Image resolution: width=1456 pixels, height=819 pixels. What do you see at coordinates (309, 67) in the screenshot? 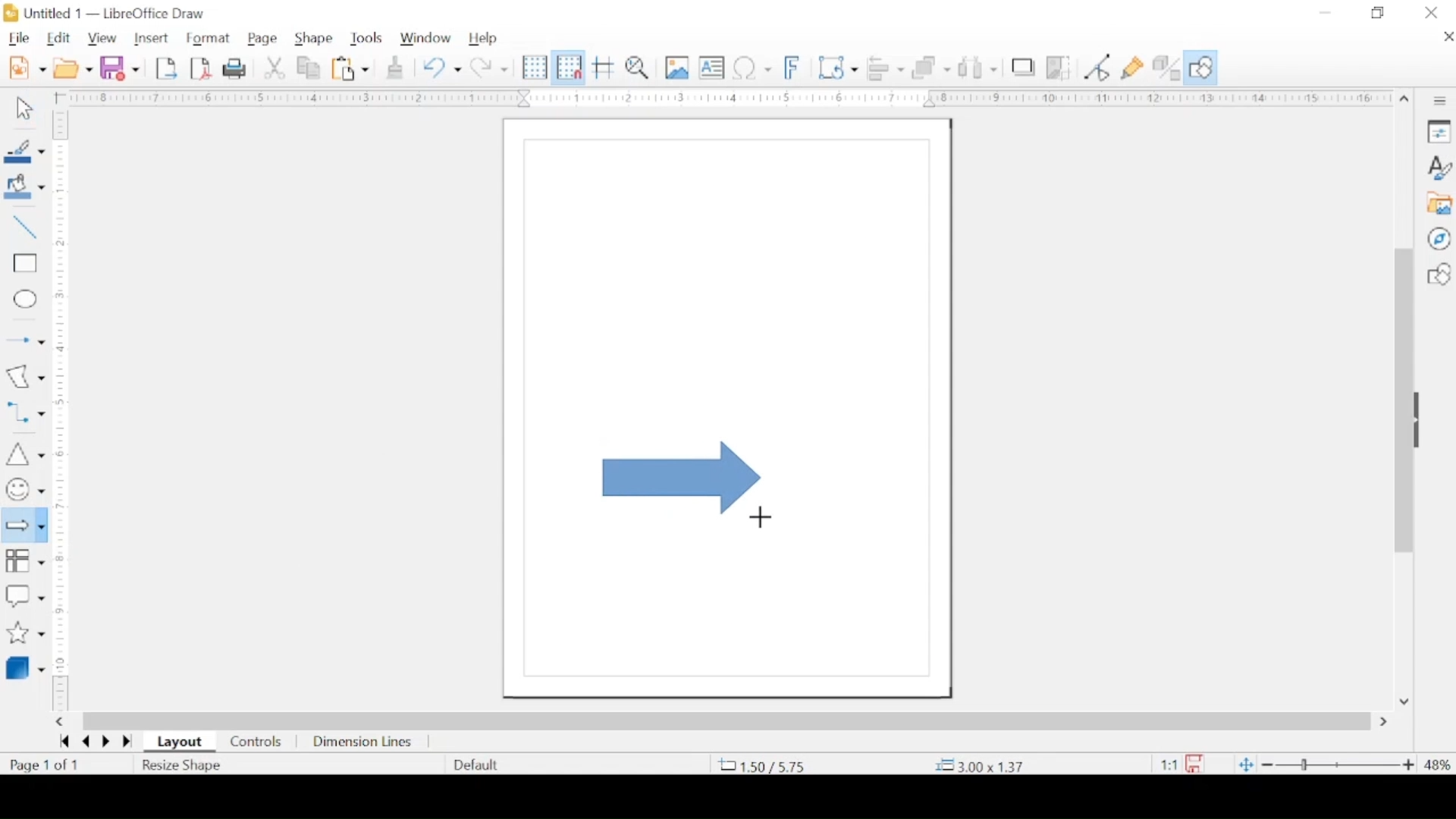
I see `copy` at bounding box center [309, 67].